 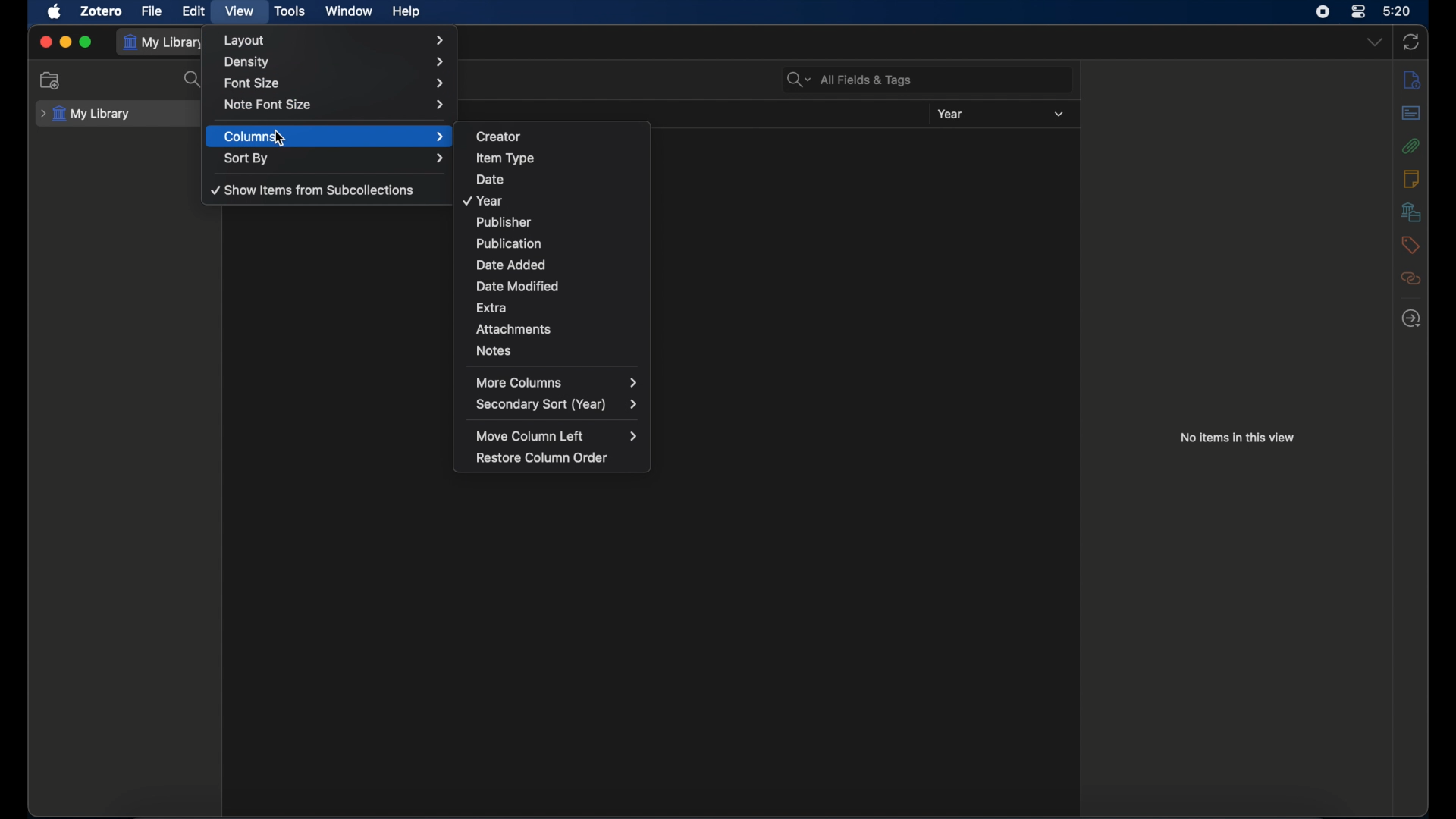 What do you see at coordinates (560, 175) in the screenshot?
I see `date` at bounding box center [560, 175].